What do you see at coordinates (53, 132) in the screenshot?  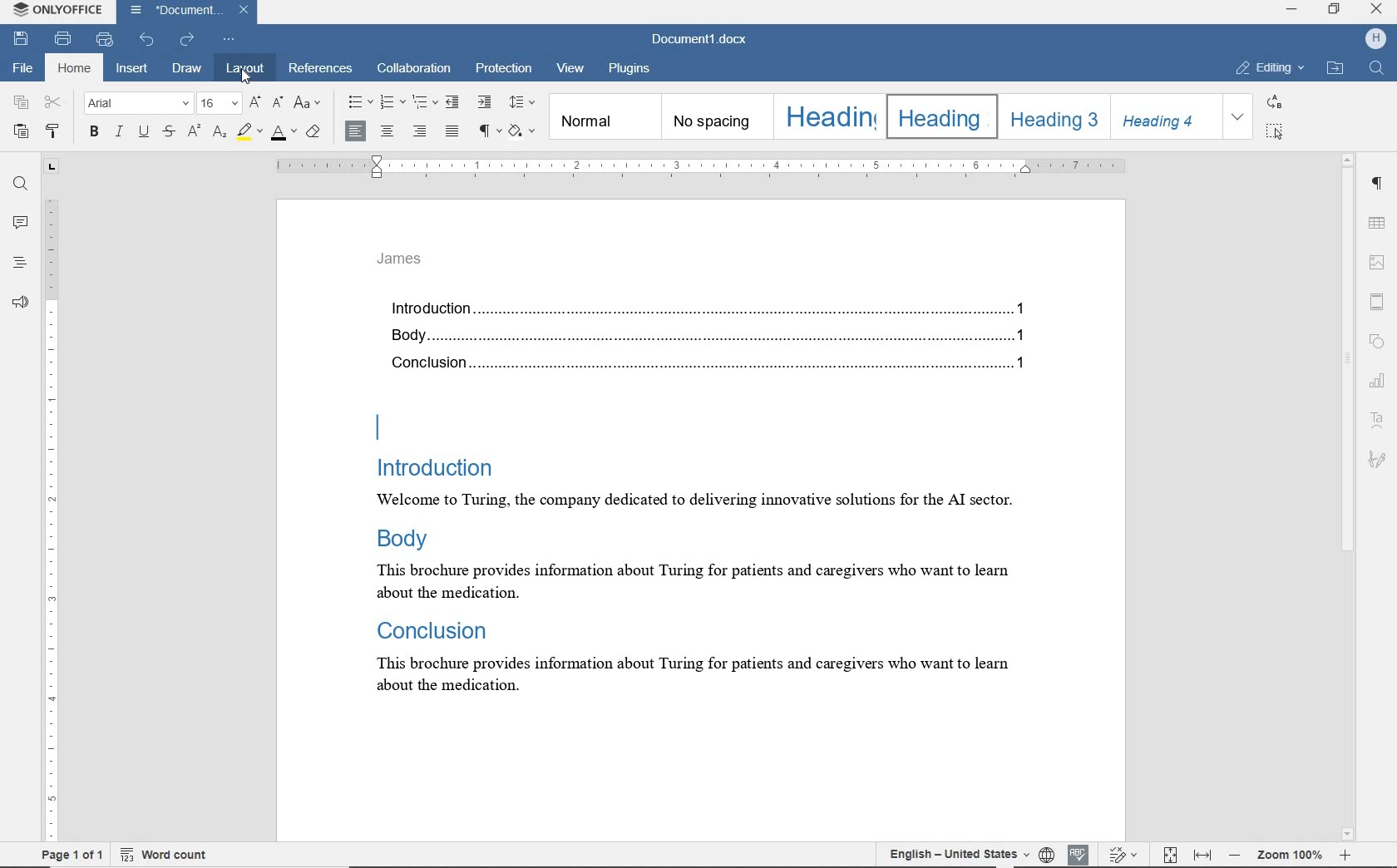 I see `copy style` at bounding box center [53, 132].